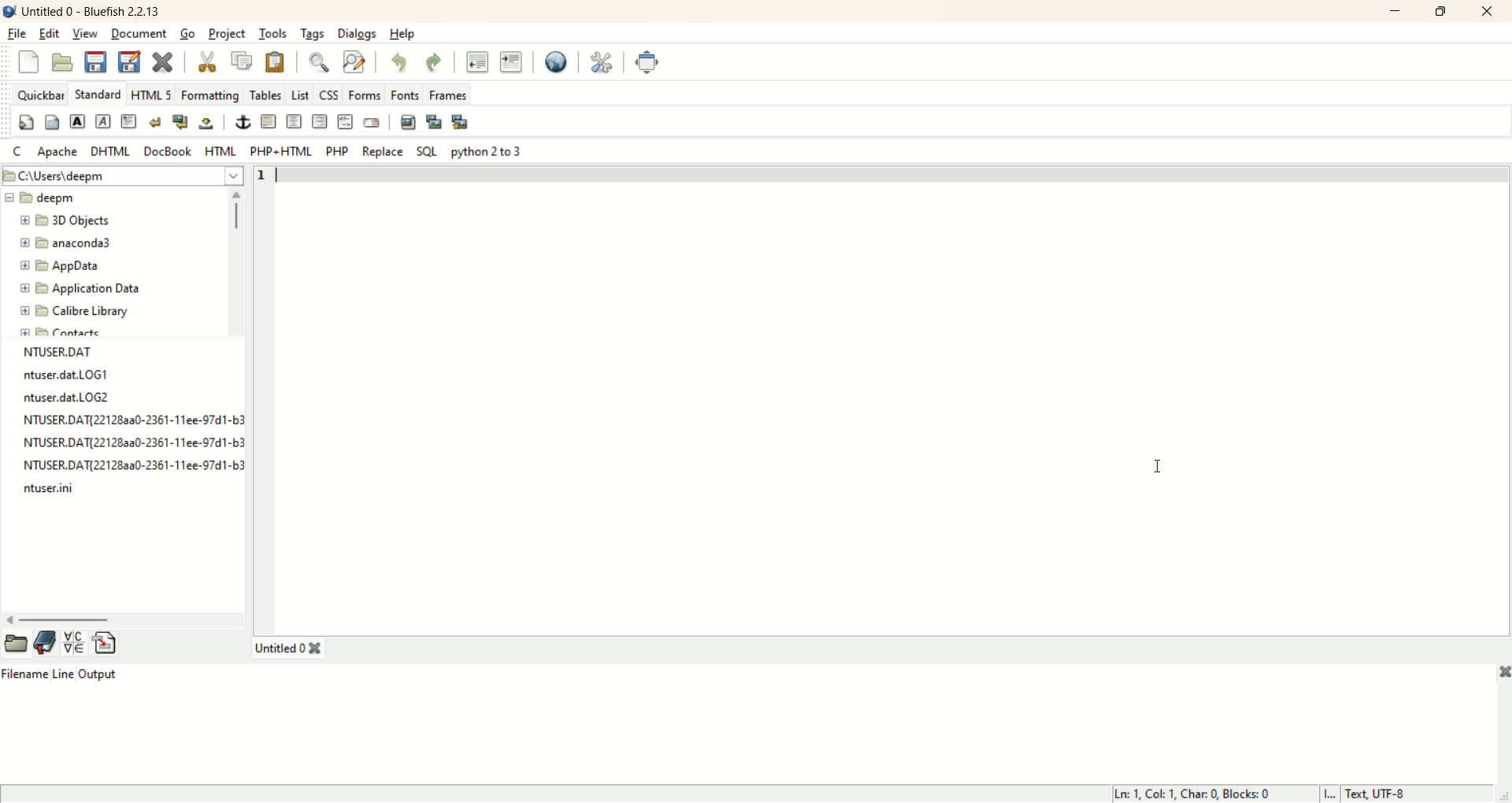 Image resolution: width=1512 pixels, height=803 pixels. Describe the element at coordinates (450, 95) in the screenshot. I see `frames` at that location.